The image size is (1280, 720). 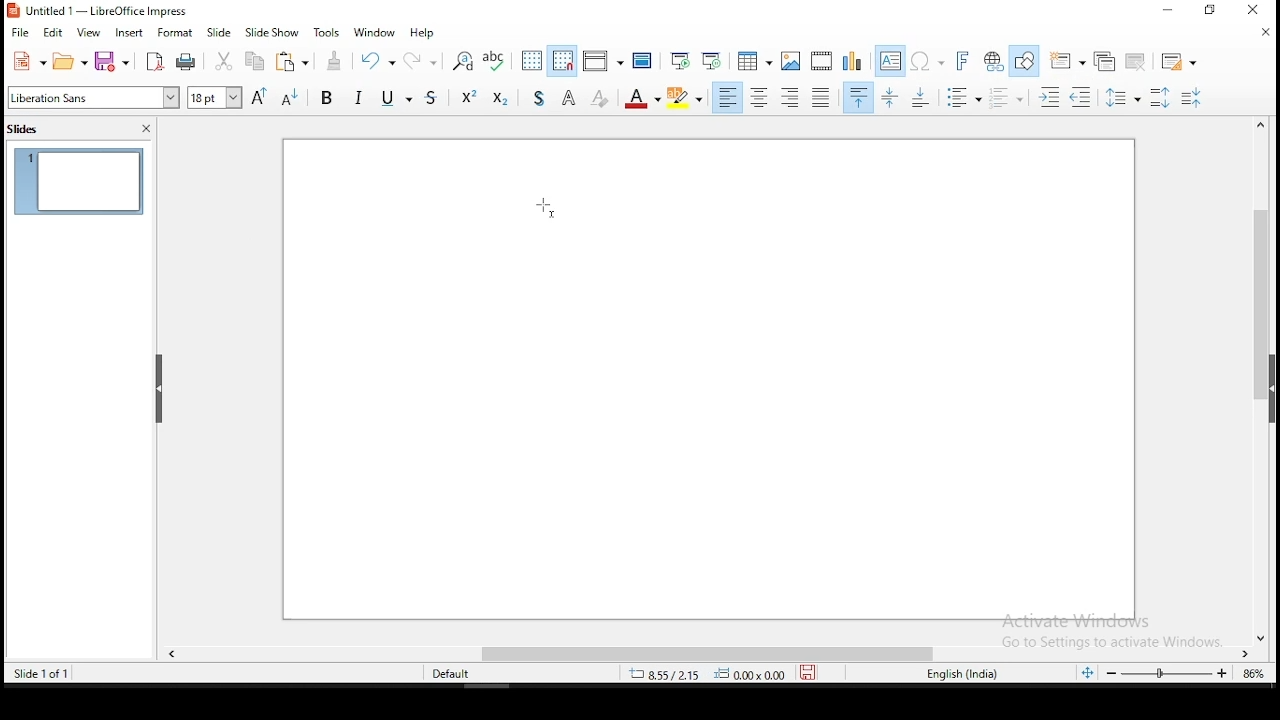 What do you see at coordinates (729, 98) in the screenshot?
I see `align left` at bounding box center [729, 98].